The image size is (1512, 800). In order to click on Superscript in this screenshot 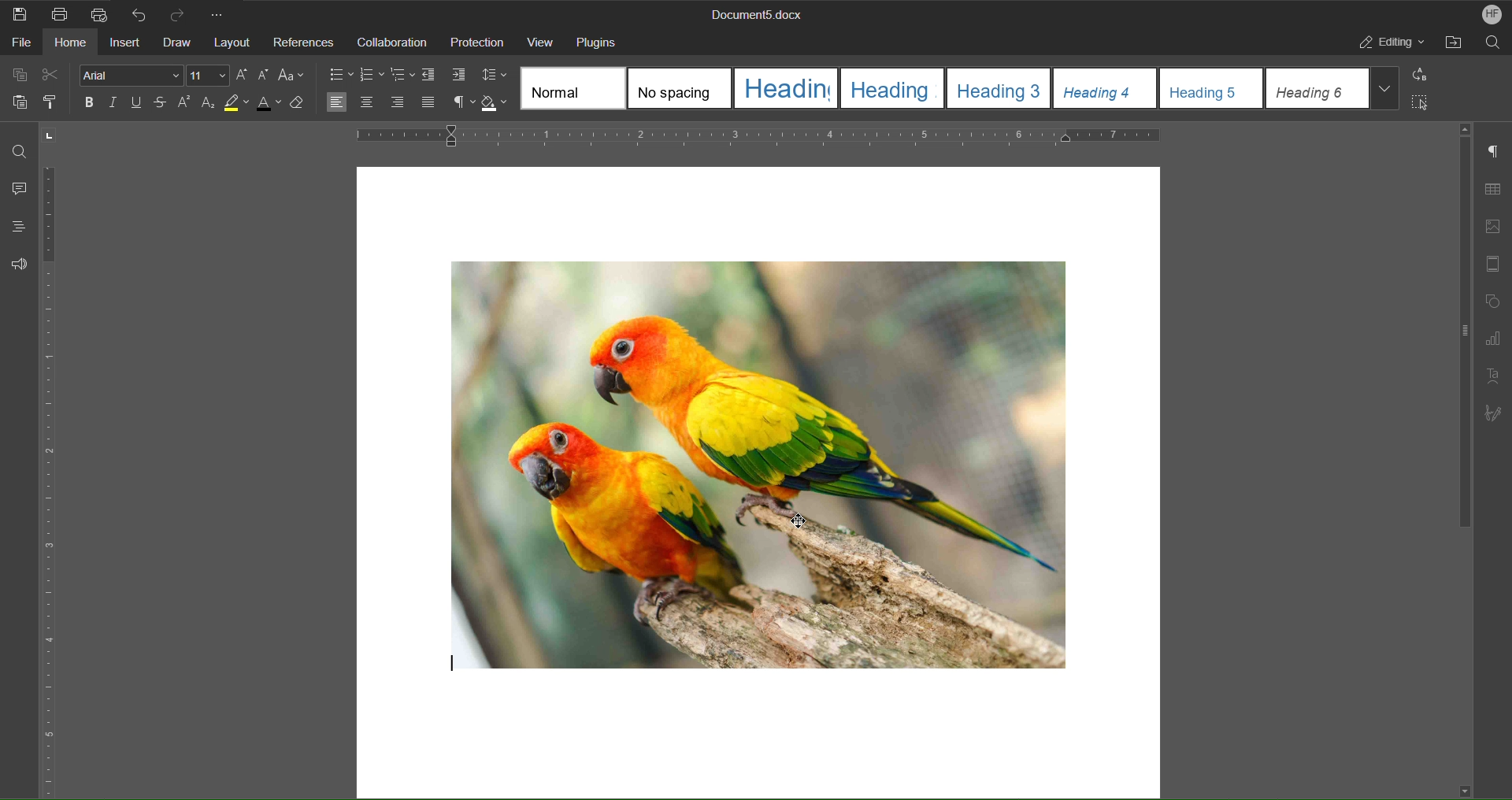, I will do `click(184, 105)`.